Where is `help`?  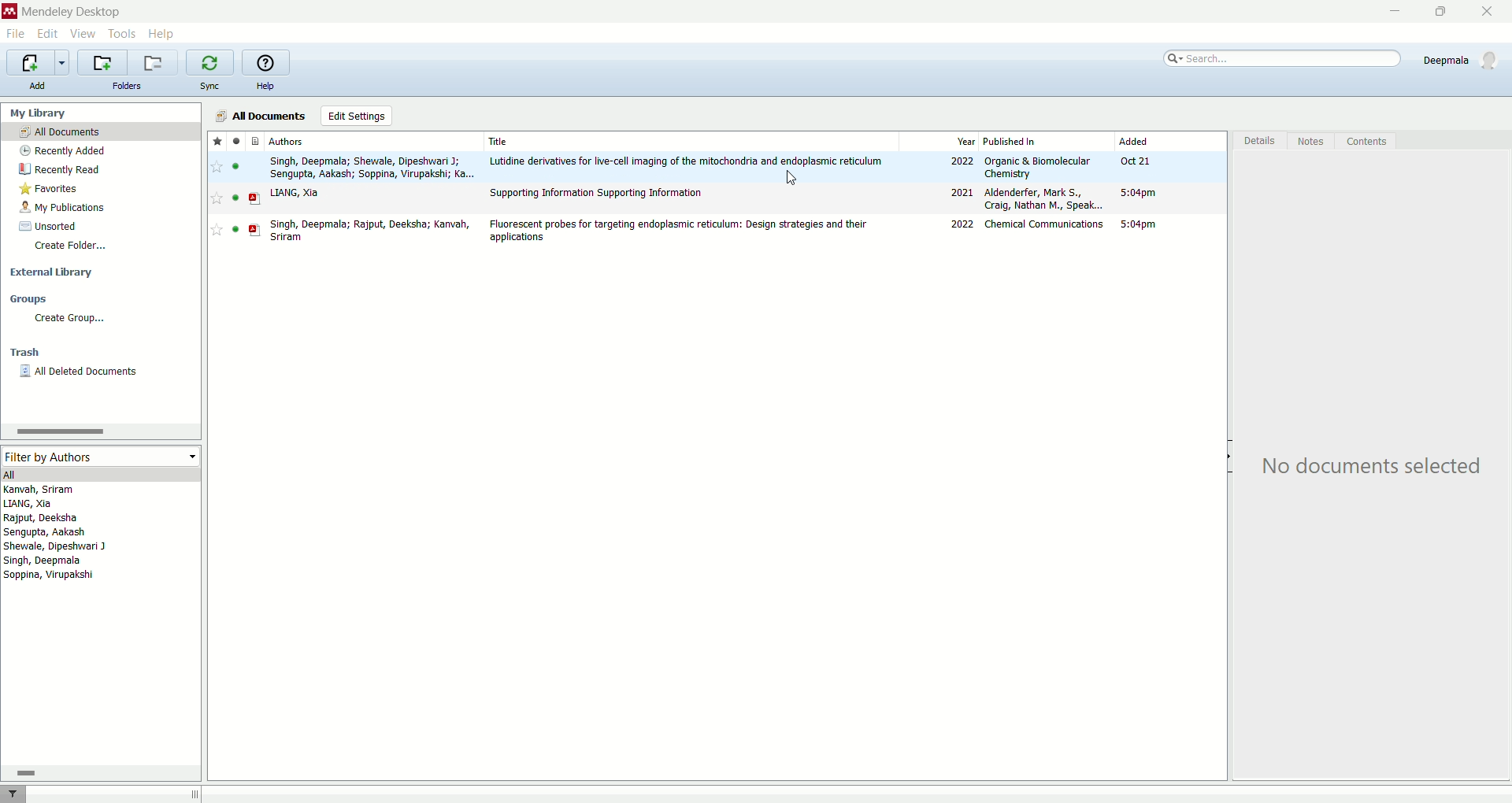
help is located at coordinates (265, 87).